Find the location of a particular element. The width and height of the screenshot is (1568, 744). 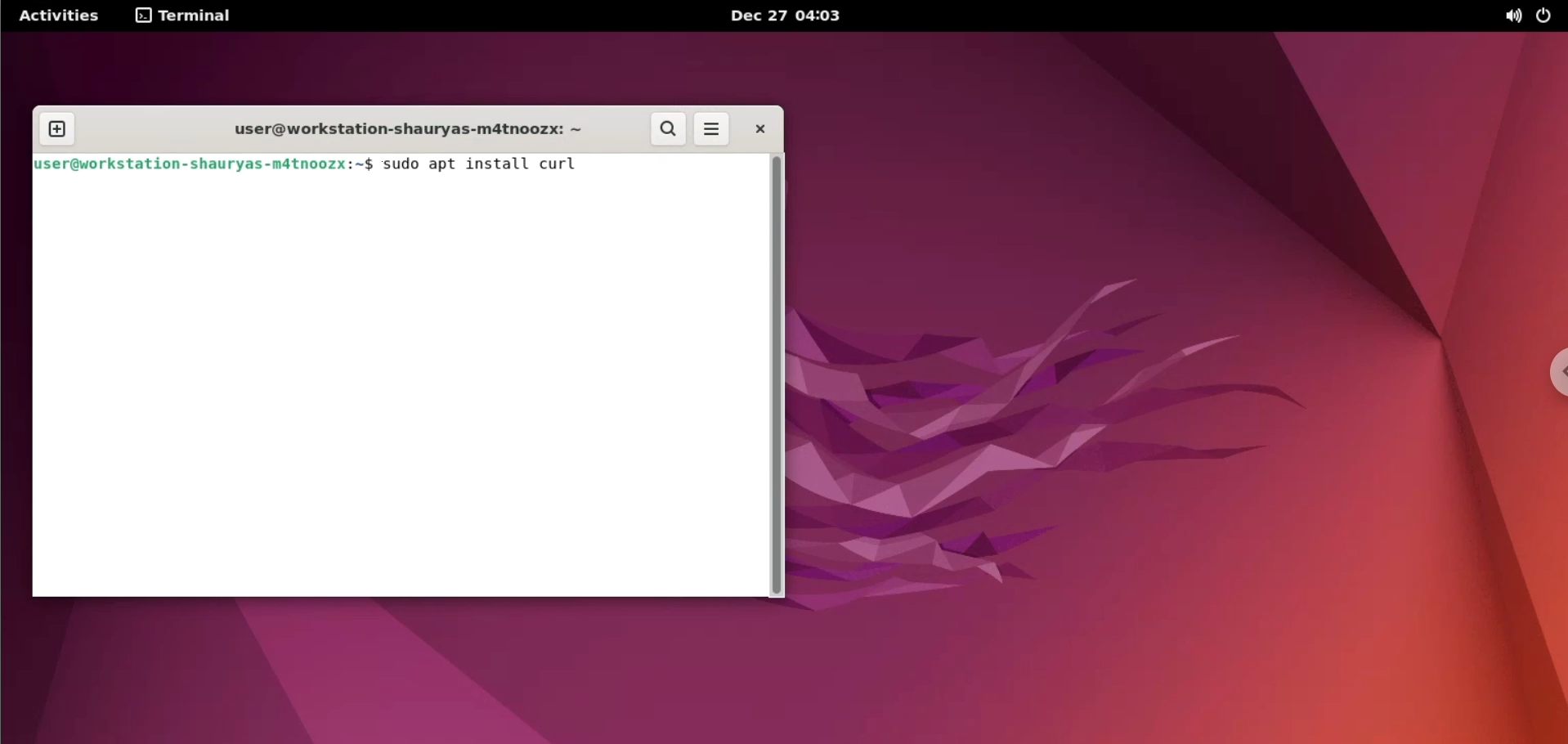

user@workstation-shauryas-m4tnoozx:- is located at coordinates (395, 127).